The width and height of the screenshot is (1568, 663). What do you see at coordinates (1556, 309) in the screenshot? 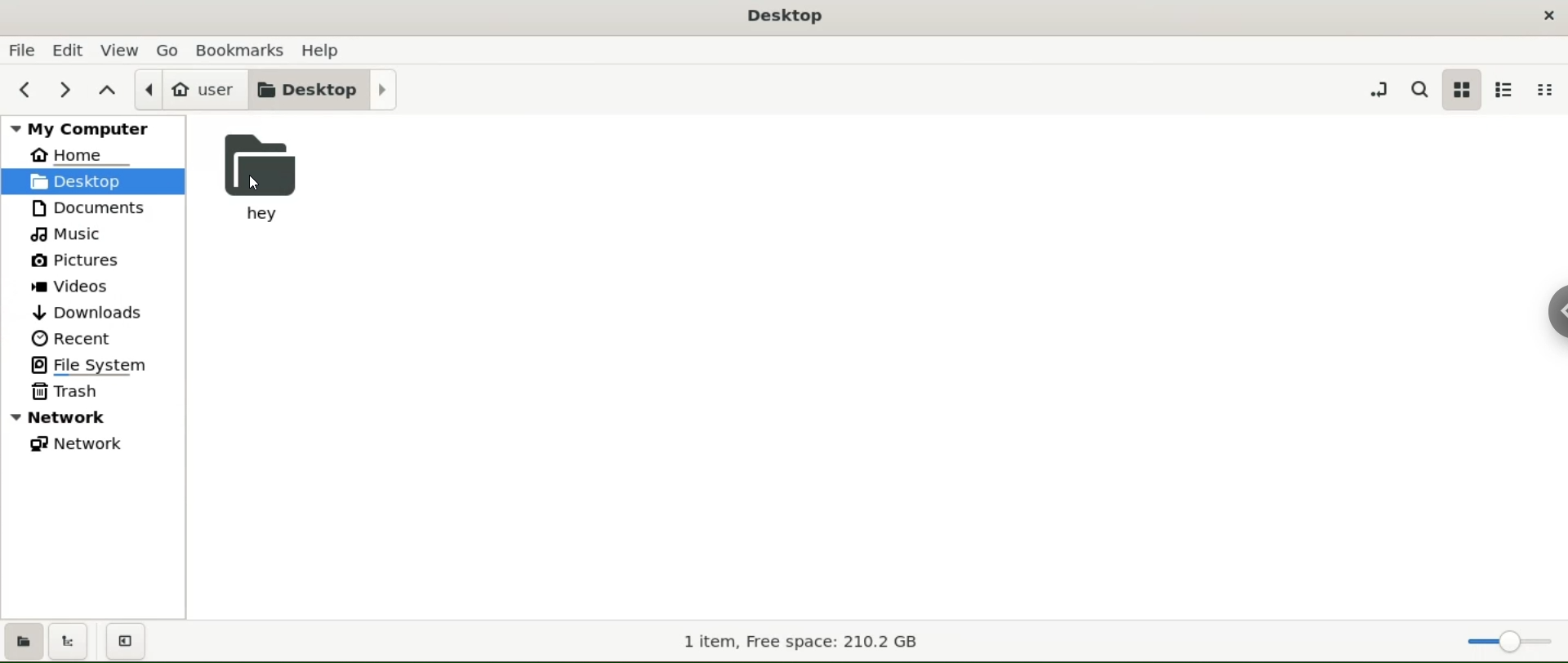
I see `sidebar` at bounding box center [1556, 309].